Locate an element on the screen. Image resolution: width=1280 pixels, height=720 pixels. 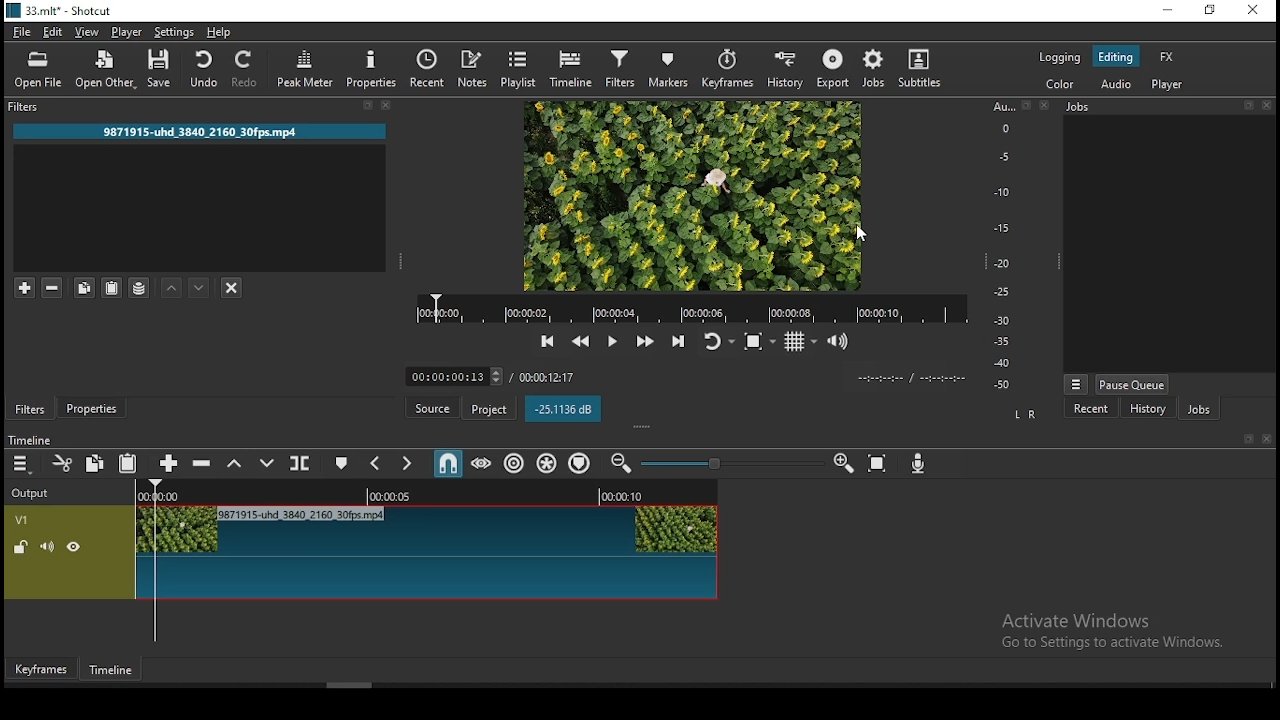
scale is located at coordinates (1003, 247).